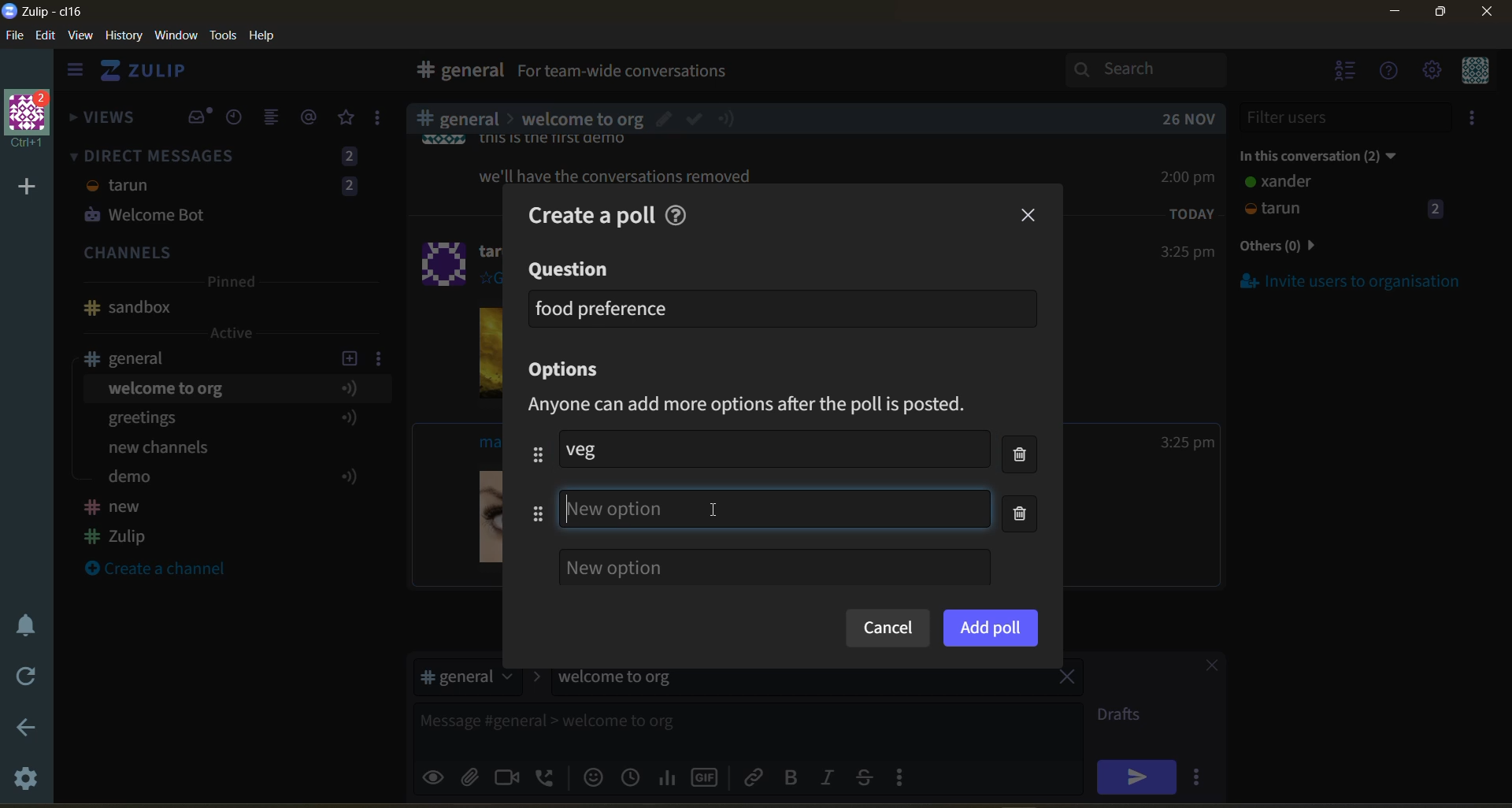 The image size is (1512, 808). I want to click on topics, so click(228, 436).